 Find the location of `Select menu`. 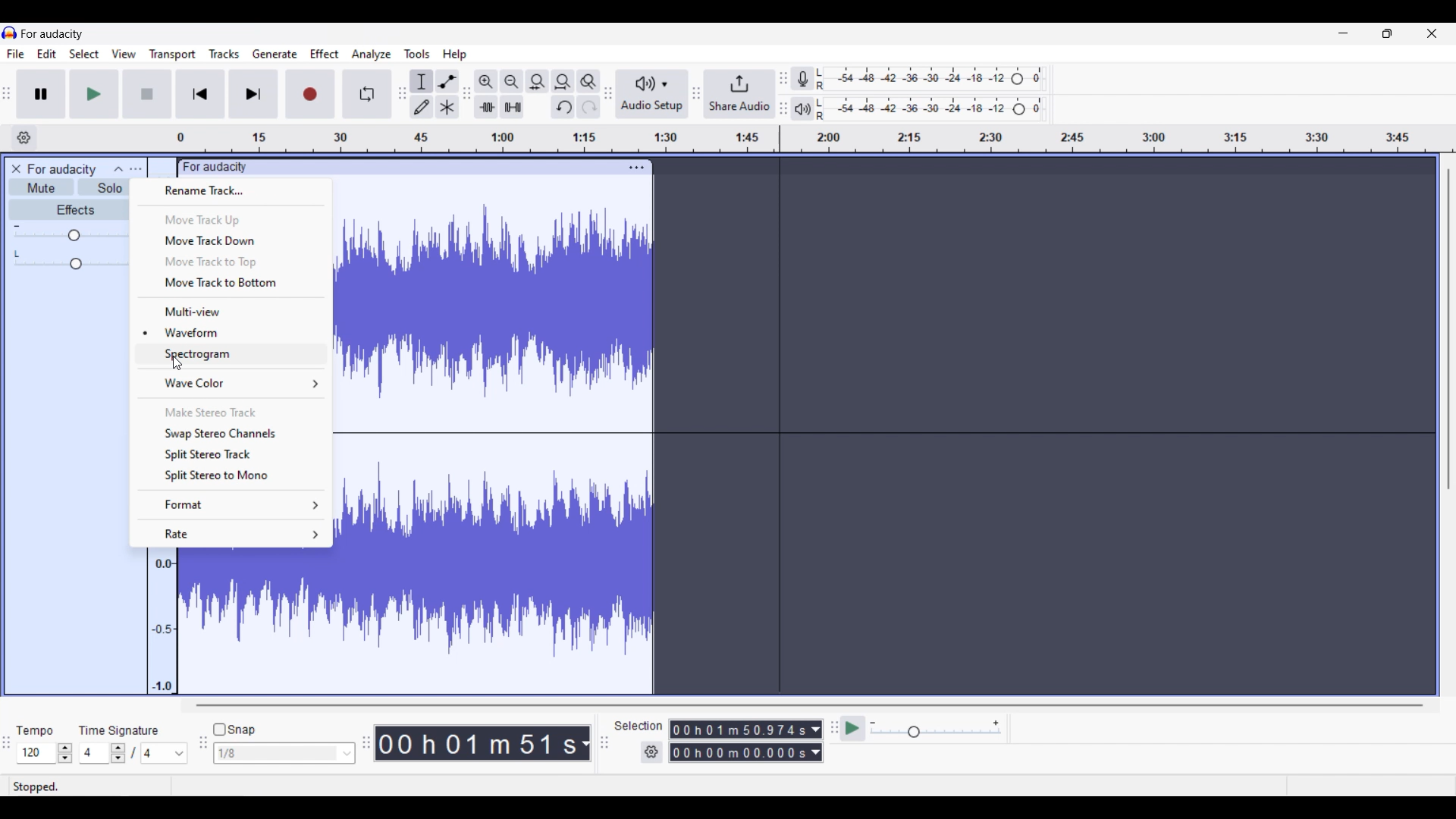

Select menu is located at coordinates (84, 53).